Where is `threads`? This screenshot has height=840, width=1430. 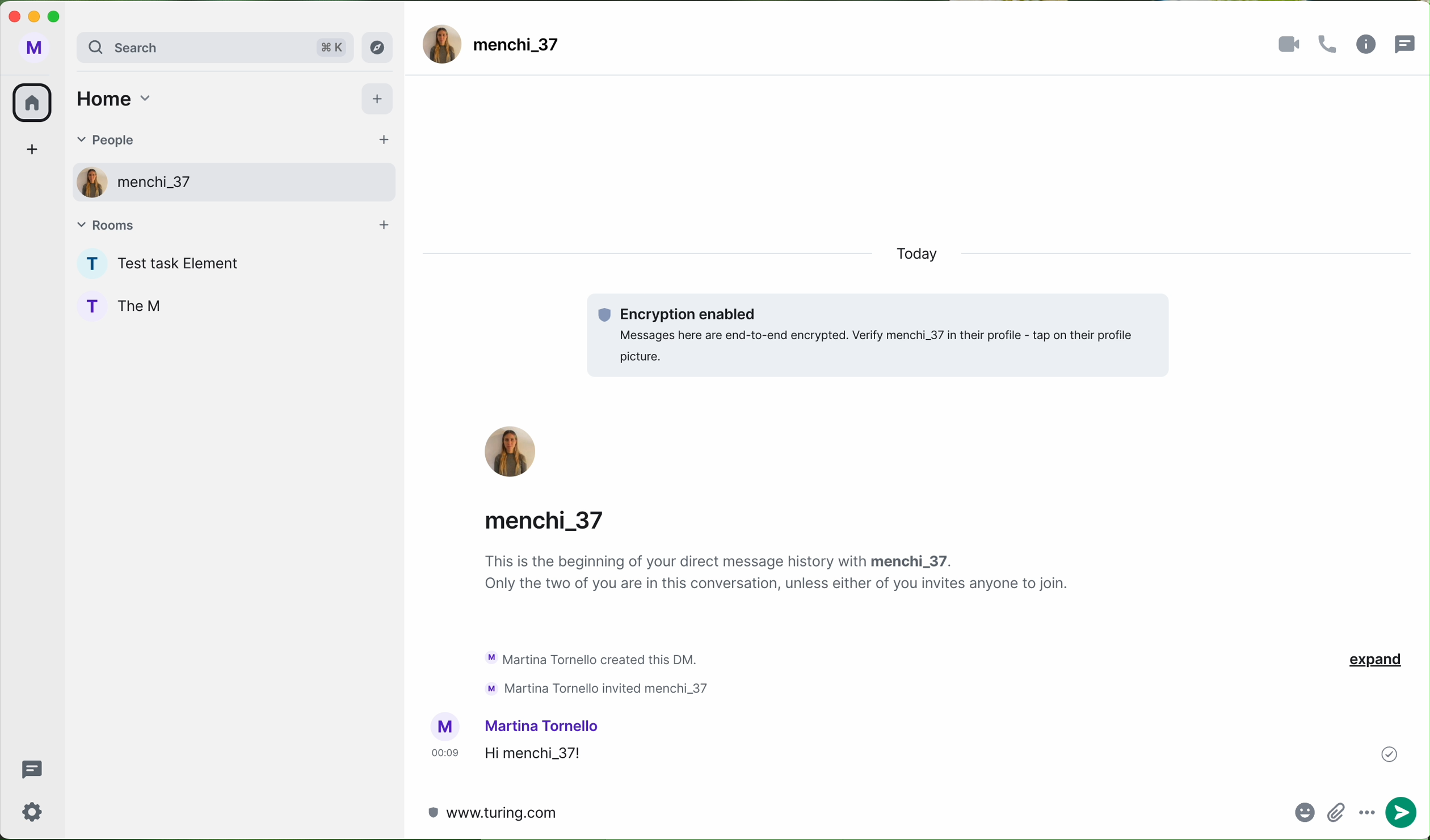
threads is located at coordinates (1408, 42).